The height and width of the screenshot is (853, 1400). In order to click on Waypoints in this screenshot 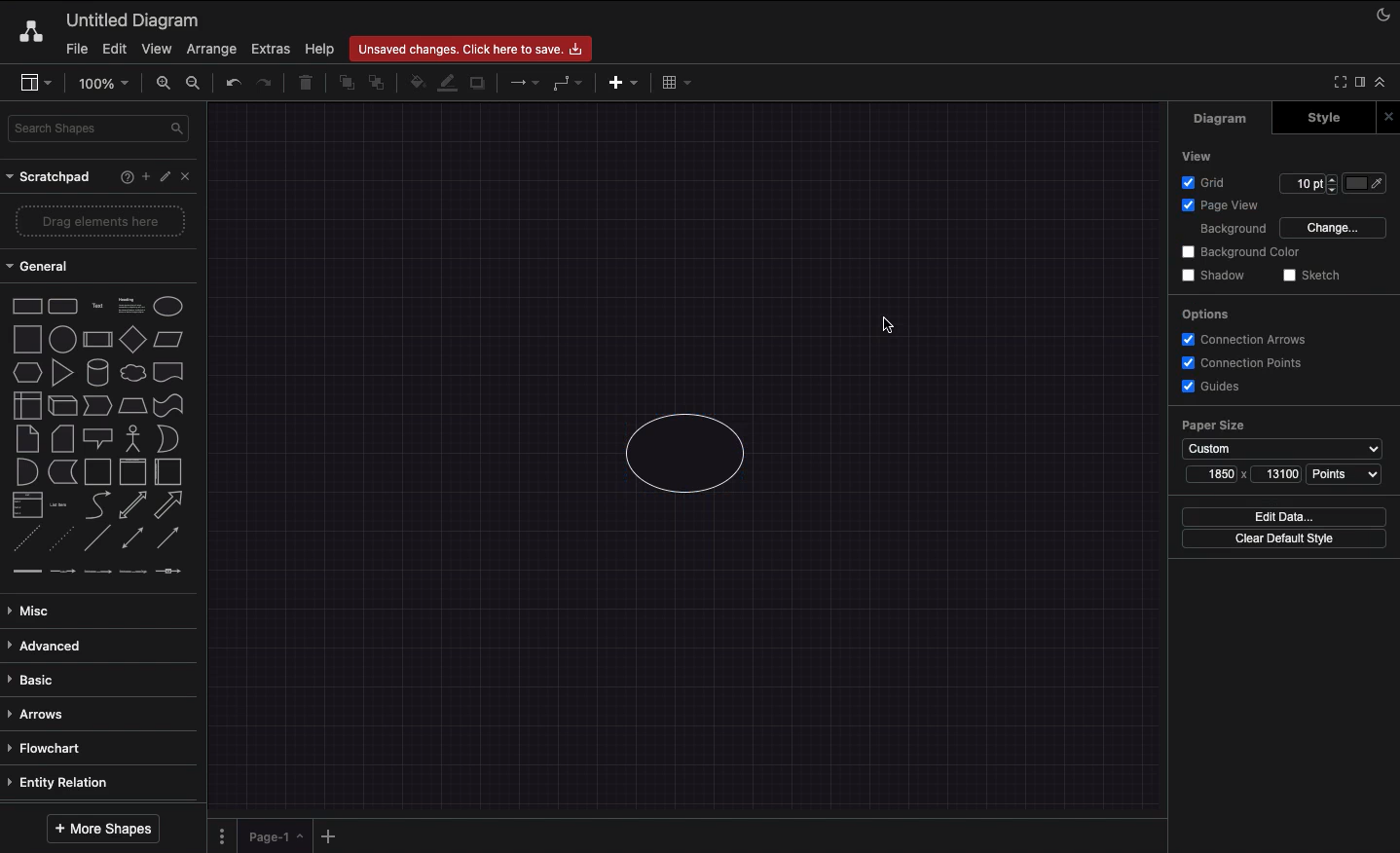, I will do `click(569, 85)`.